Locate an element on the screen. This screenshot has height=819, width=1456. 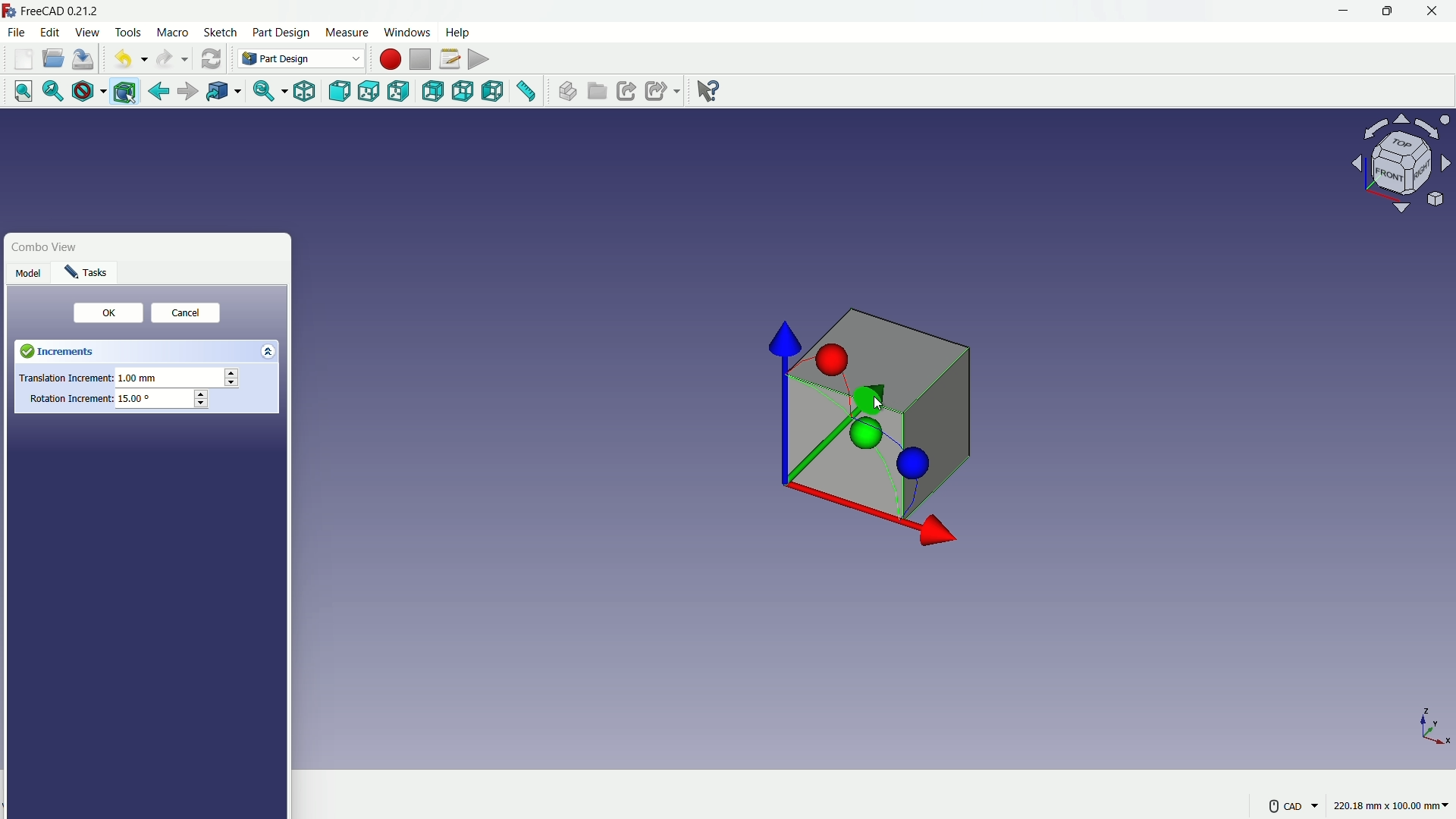
Rotation Increment: is located at coordinates (70, 399).